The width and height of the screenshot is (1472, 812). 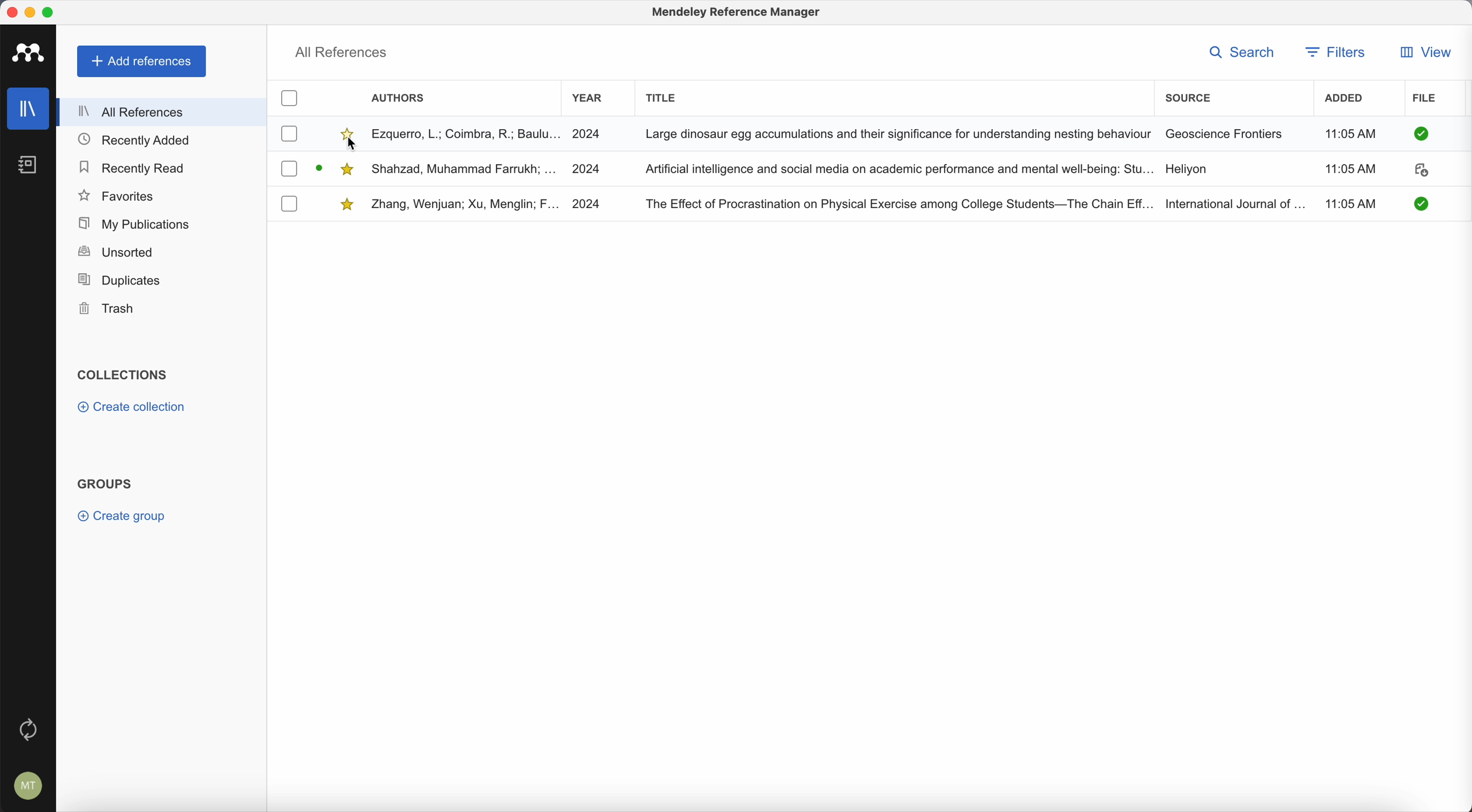 What do you see at coordinates (1416, 203) in the screenshot?
I see `pdf downloaded` at bounding box center [1416, 203].